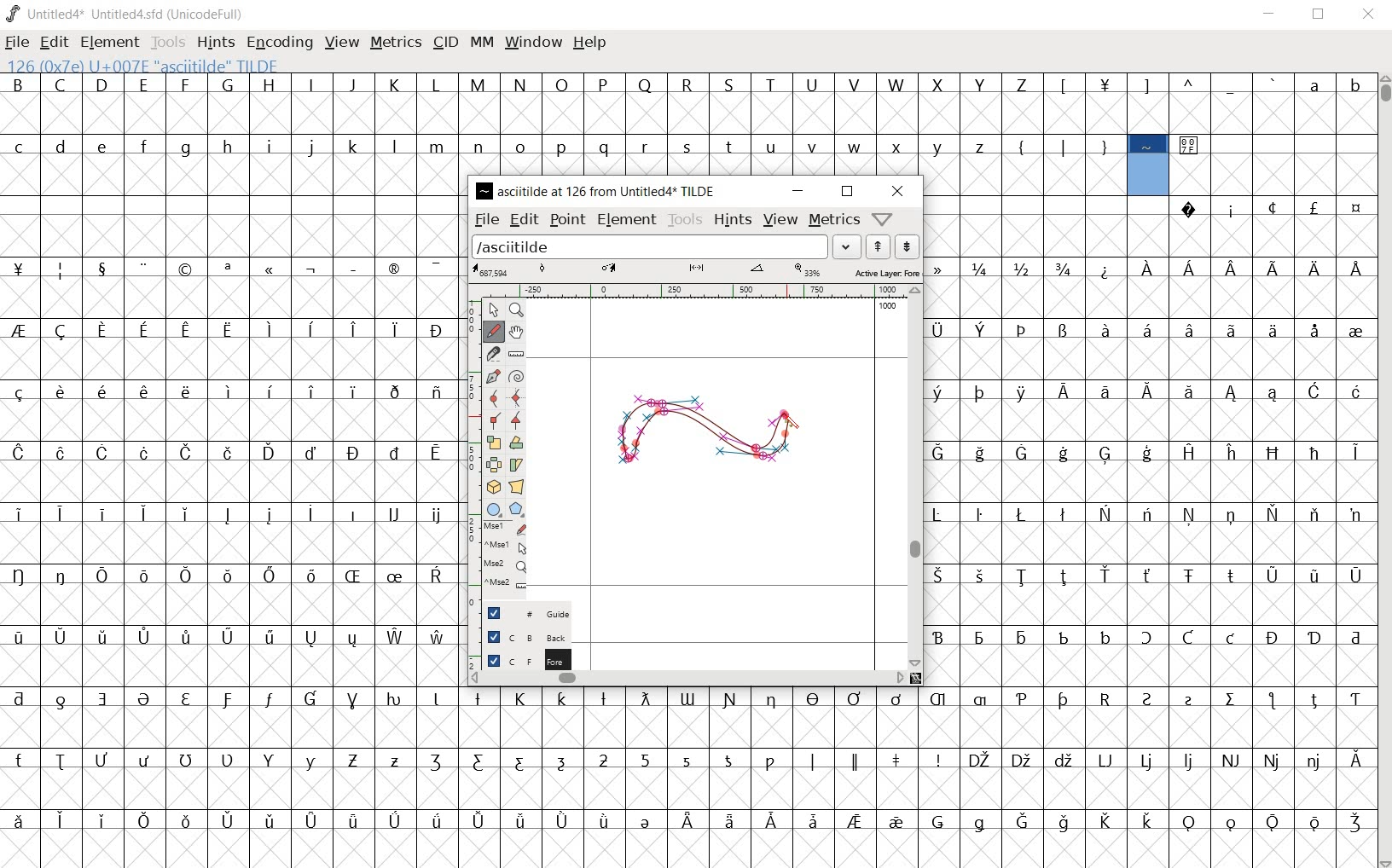  What do you see at coordinates (1383, 471) in the screenshot?
I see `SCROLLBAR` at bounding box center [1383, 471].